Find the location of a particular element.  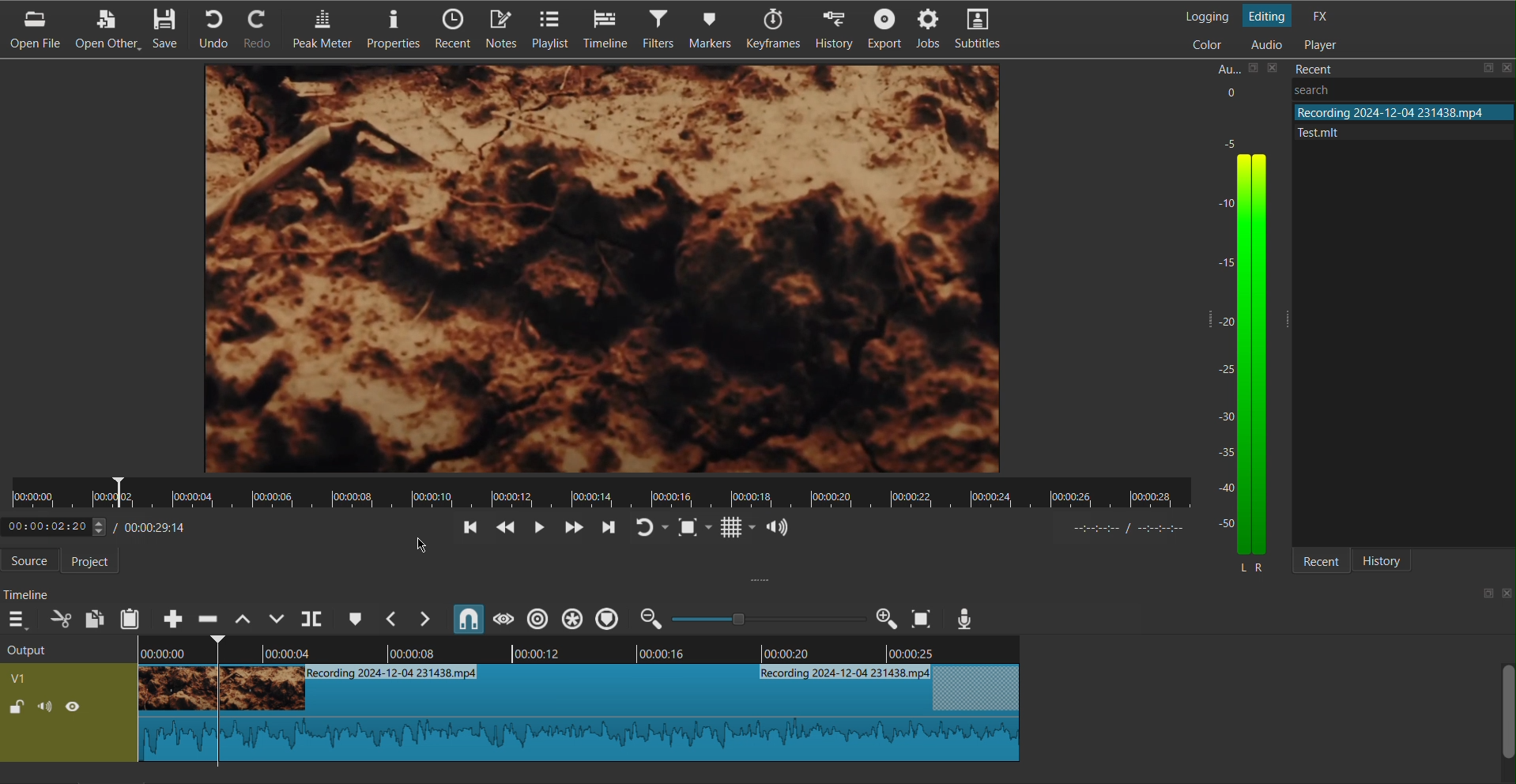

Properties is located at coordinates (390, 30).